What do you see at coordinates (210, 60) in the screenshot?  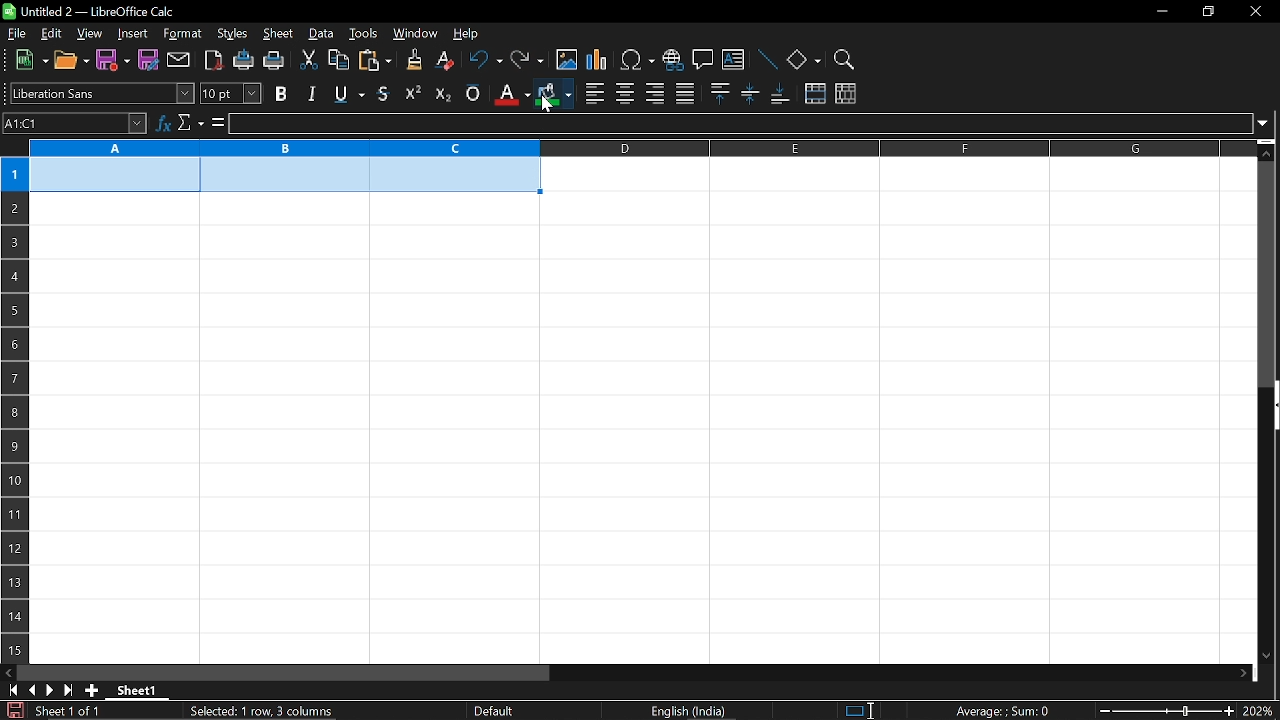 I see `export as pdf` at bounding box center [210, 60].